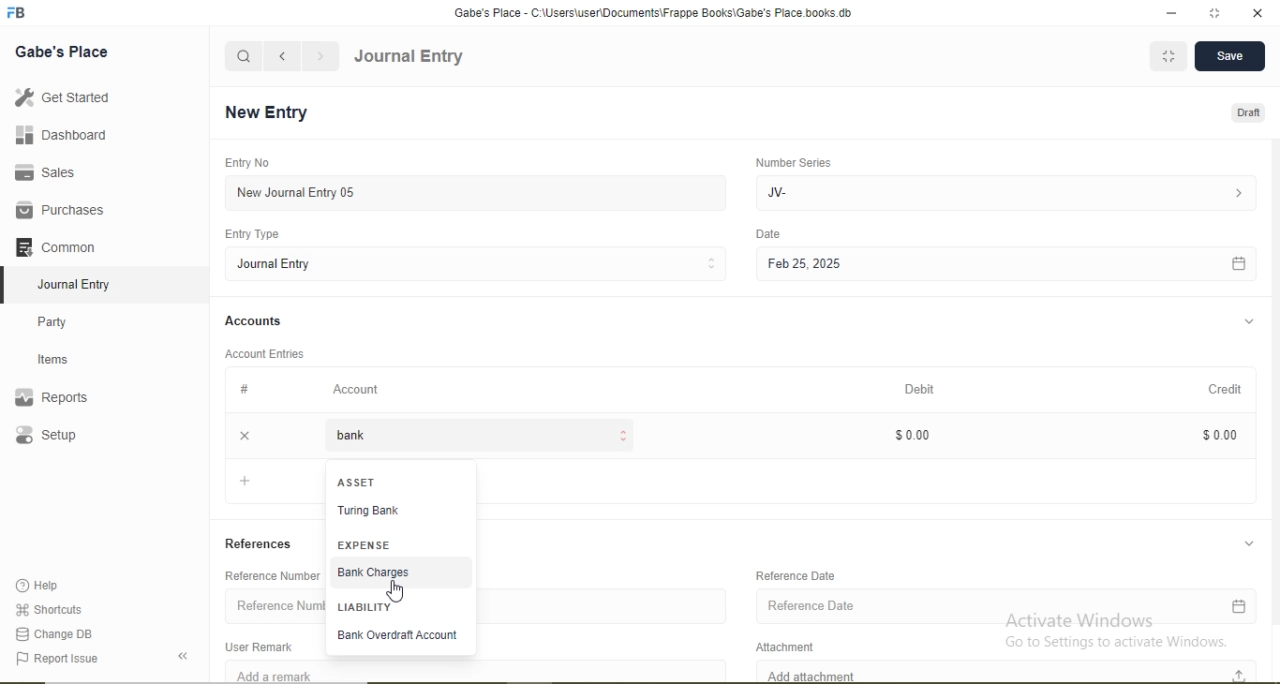 The width and height of the screenshot is (1280, 684). I want to click on Gabe's Place, so click(64, 51).